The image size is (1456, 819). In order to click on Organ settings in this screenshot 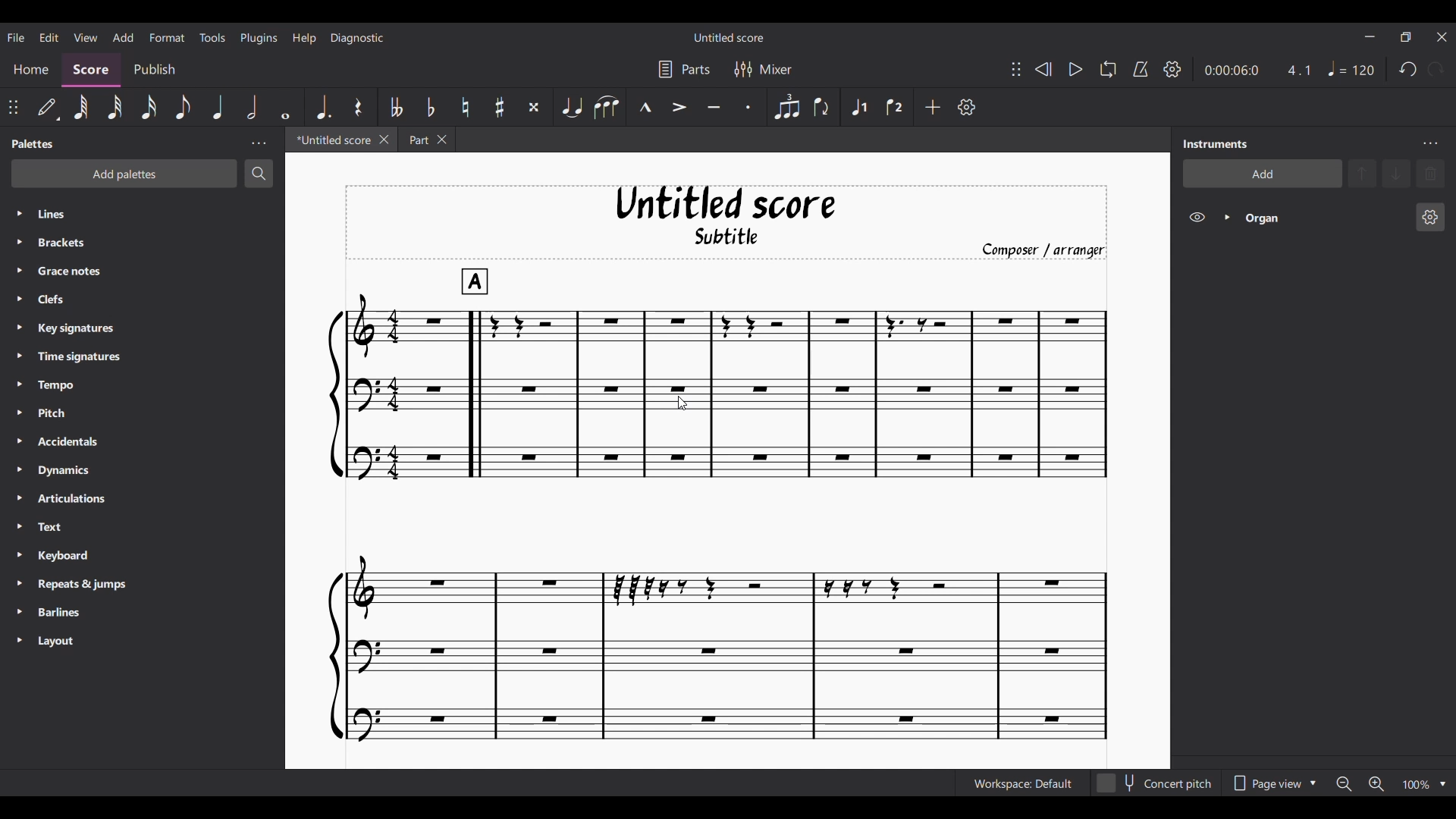, I will do `click(1429, 217)`.